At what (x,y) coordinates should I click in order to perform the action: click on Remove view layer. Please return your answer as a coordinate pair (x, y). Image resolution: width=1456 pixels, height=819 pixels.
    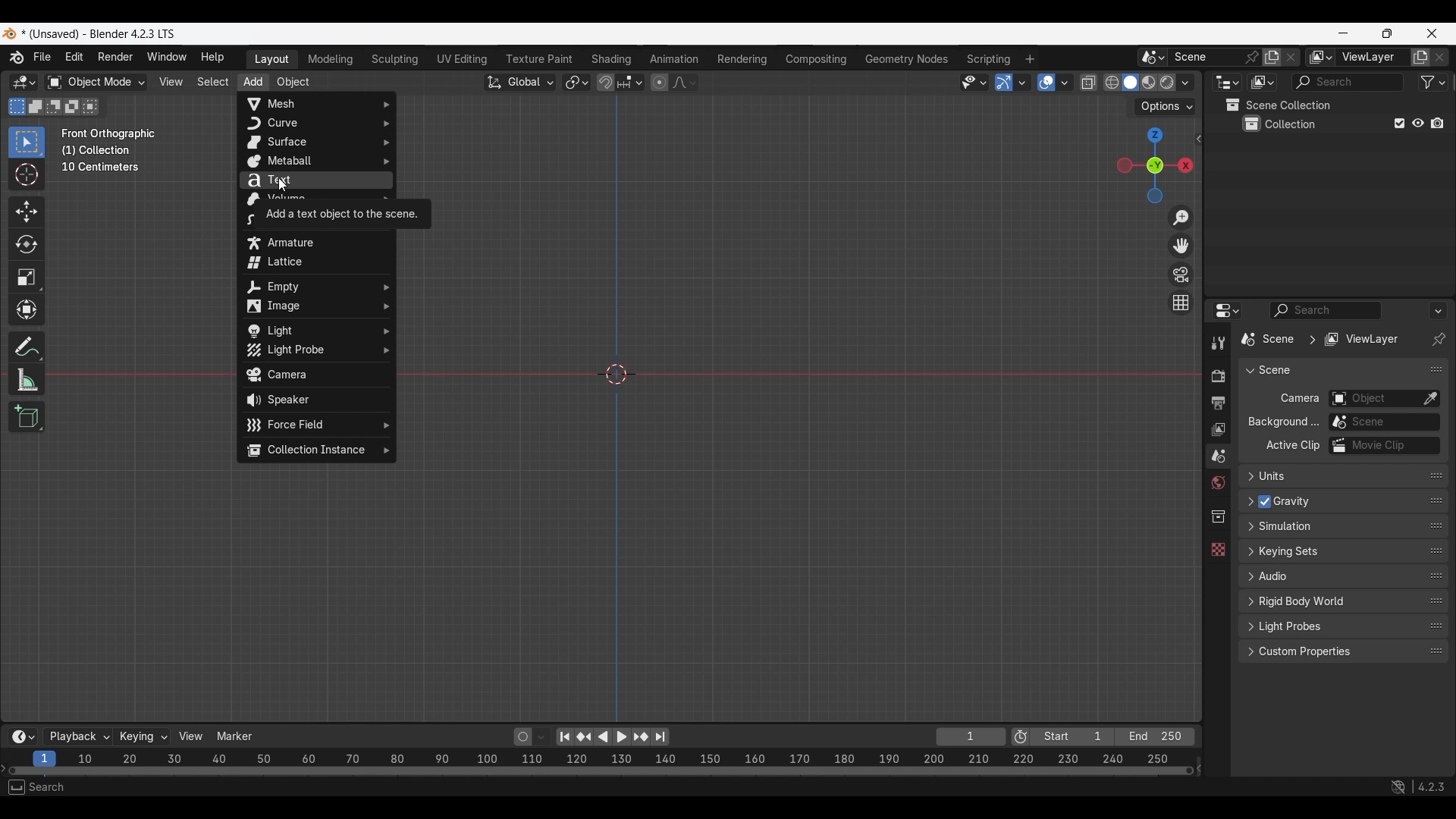
    Looking at the image, I should click on (1440, 57).